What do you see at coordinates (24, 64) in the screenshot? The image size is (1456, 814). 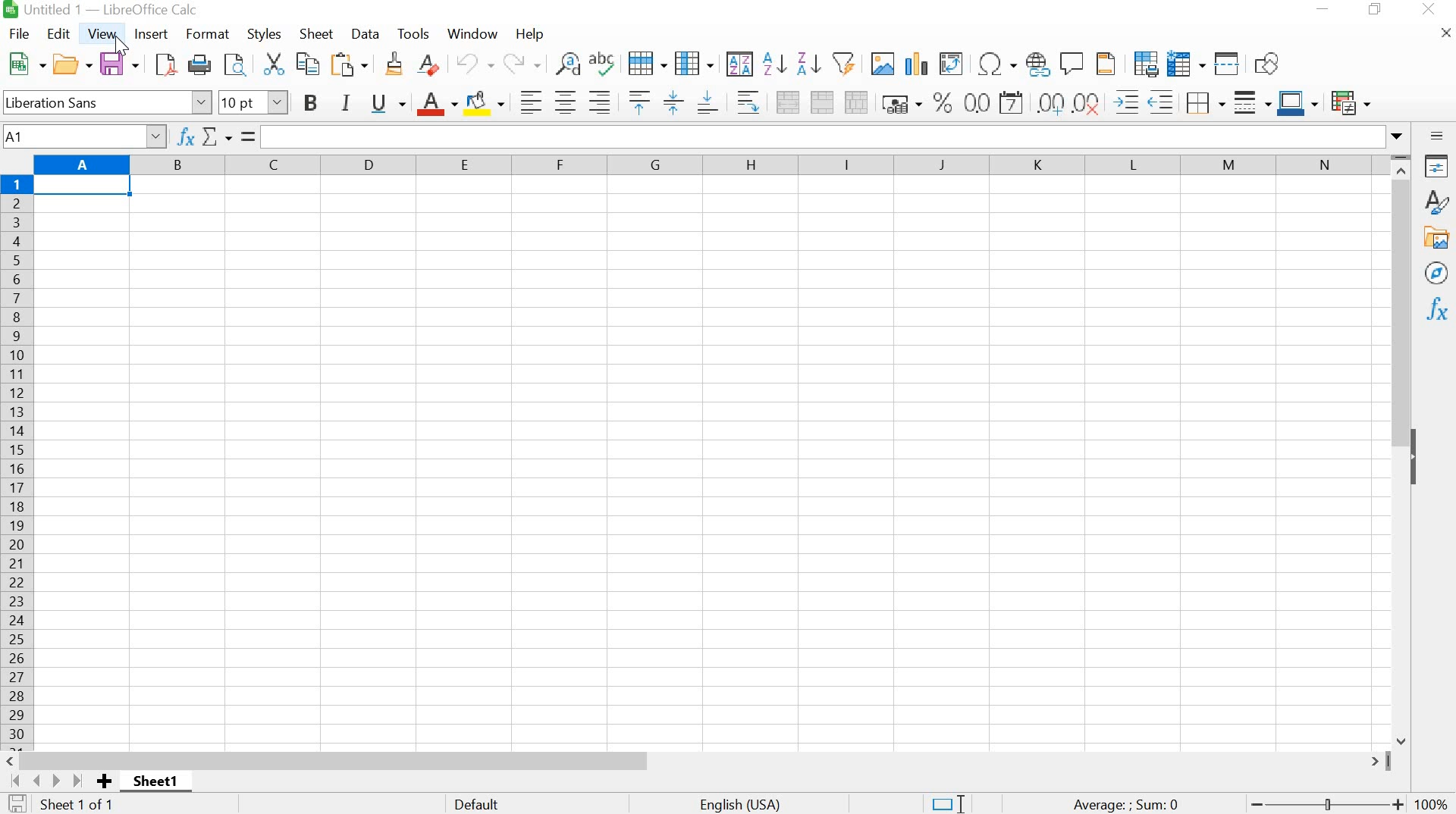 I see `NEW` at bounding box center [24, 64].